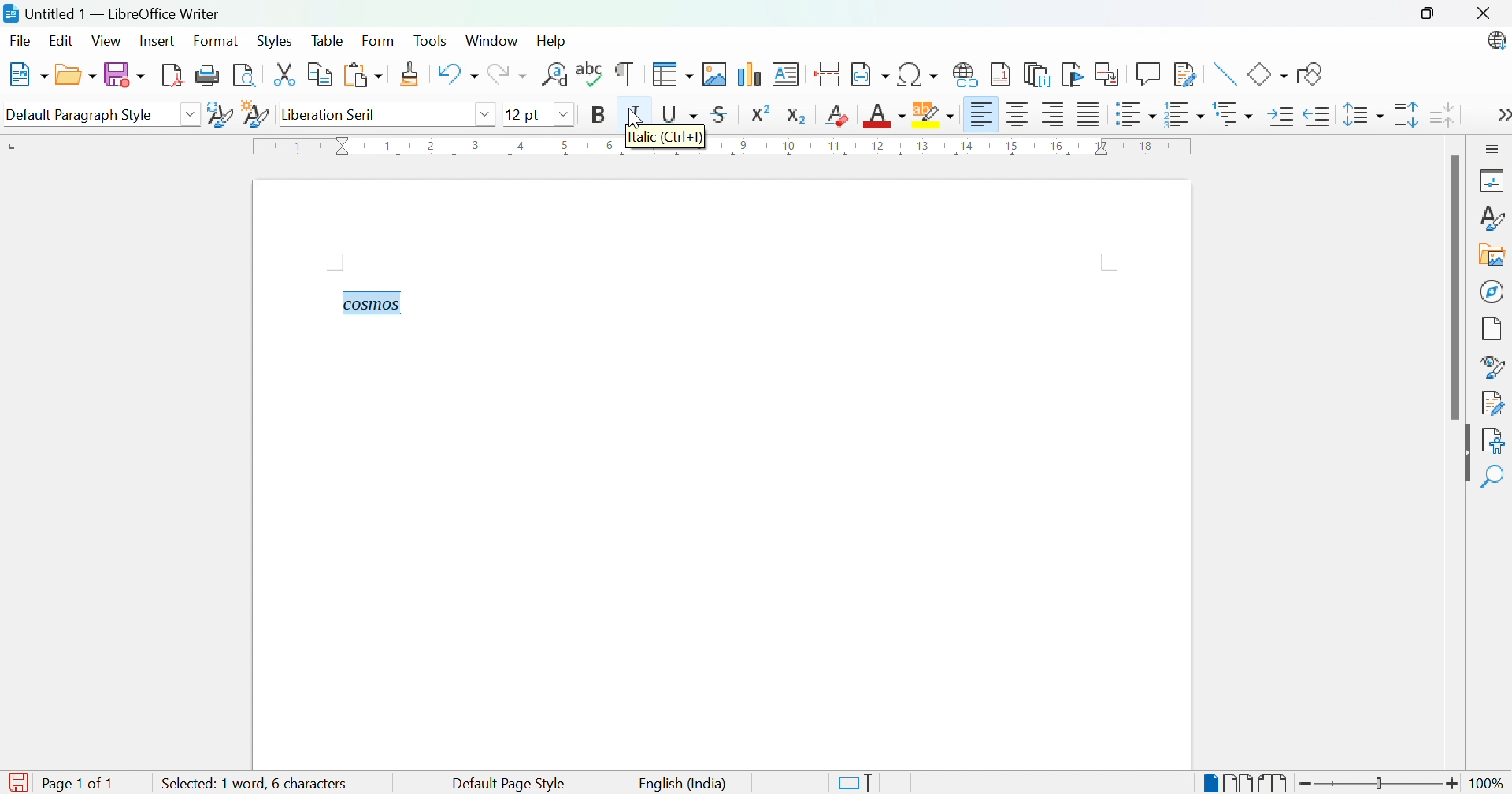 The width and height of the screenshot is (1512, 794). What do you see at coordinates (1149, 73) in the screenshot?
I see `Insert coment` at bounding box center [1149, 73].